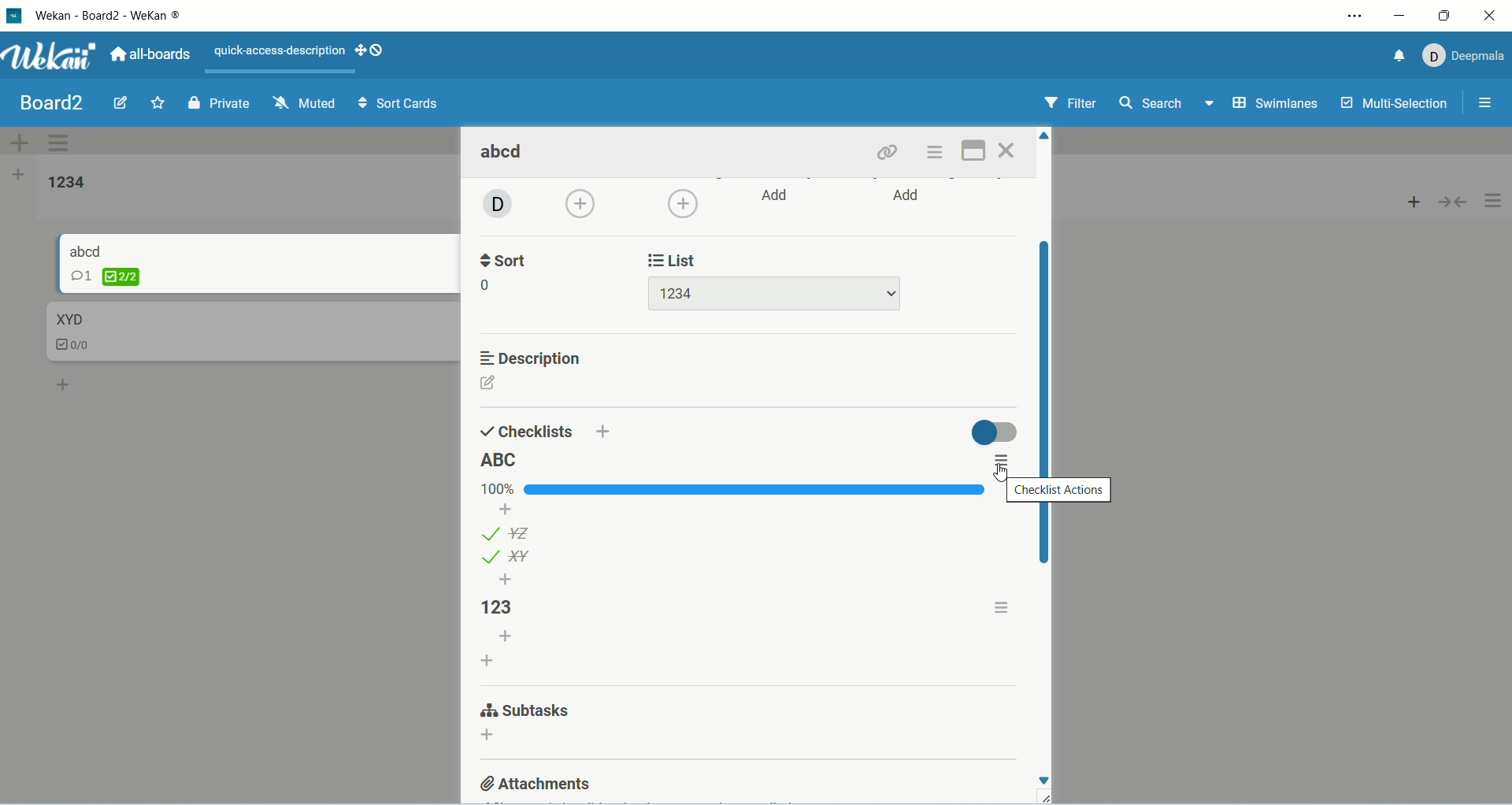 Image resolution: width=1512 pixels, height=805 pixels. Describe the element at coordinates (505, 154) in the screenshot. I see `card title` at that location.